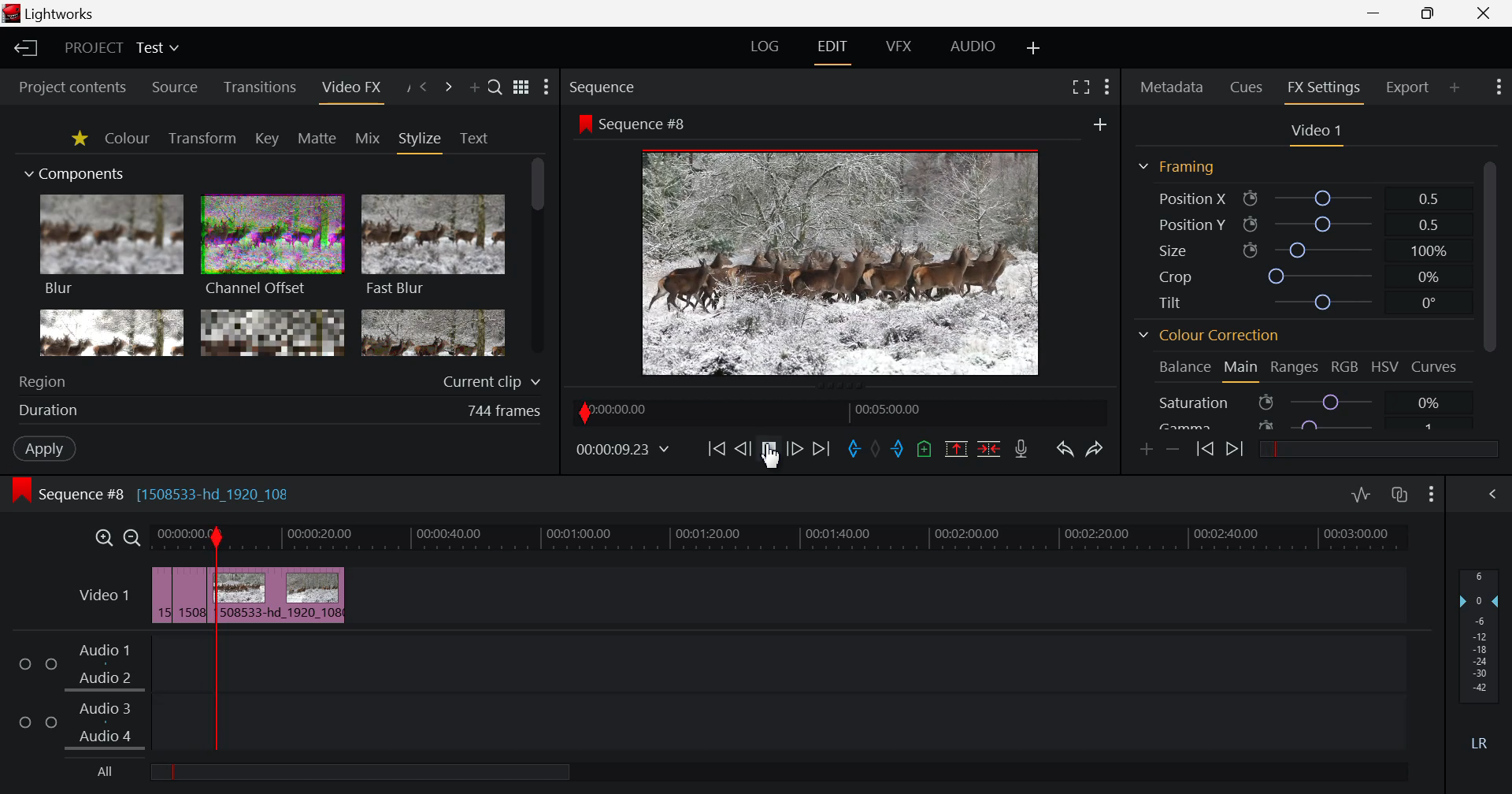 The height and width of the screenshot is (794, 1512). What do you see at coordinates (176, 87) in the screenshot?
I see `Source` at bounding box center [176, 87].